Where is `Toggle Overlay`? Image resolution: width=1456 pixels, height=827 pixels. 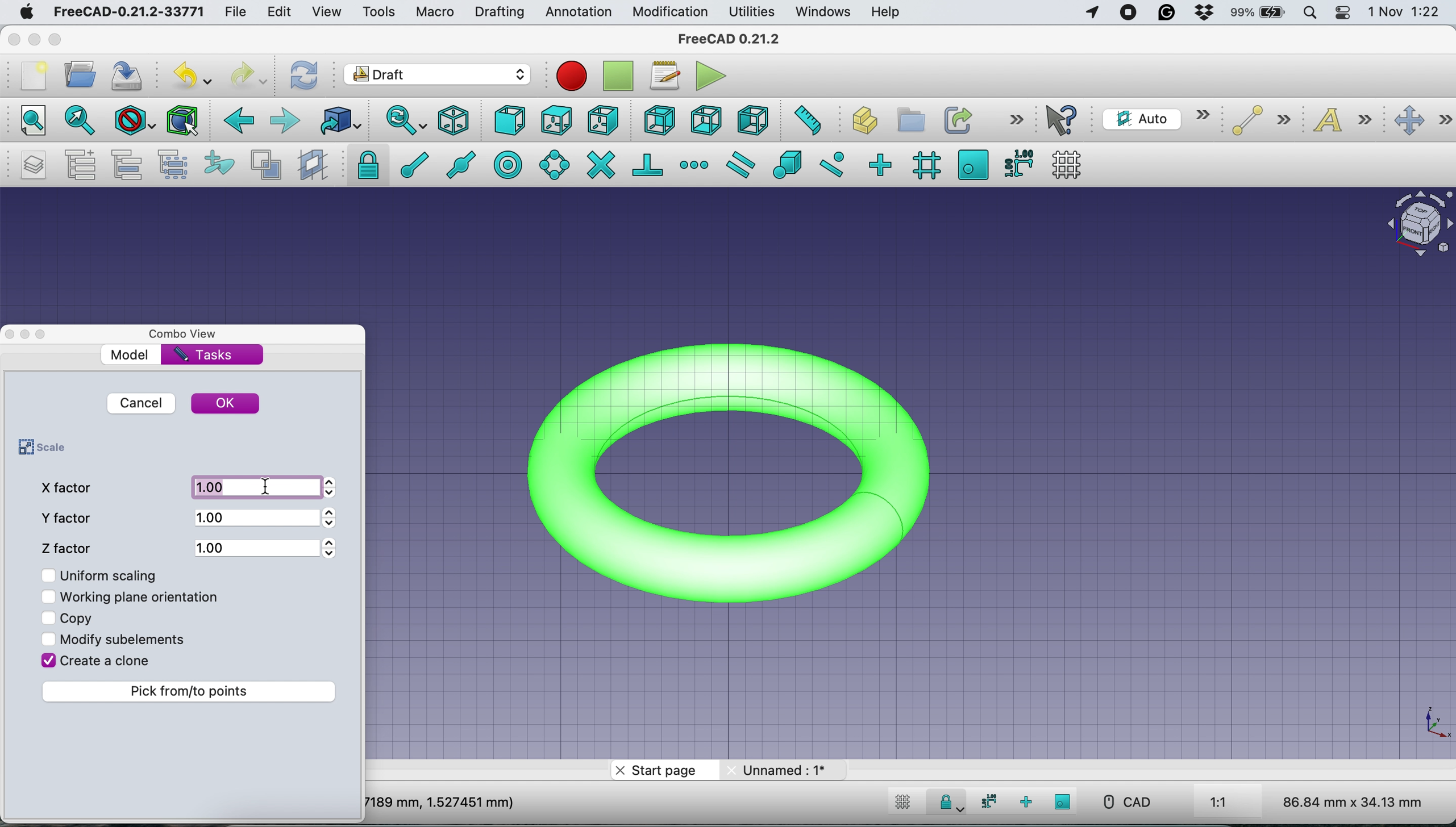
Toggle Overlay is located at coordinates (47, 335).